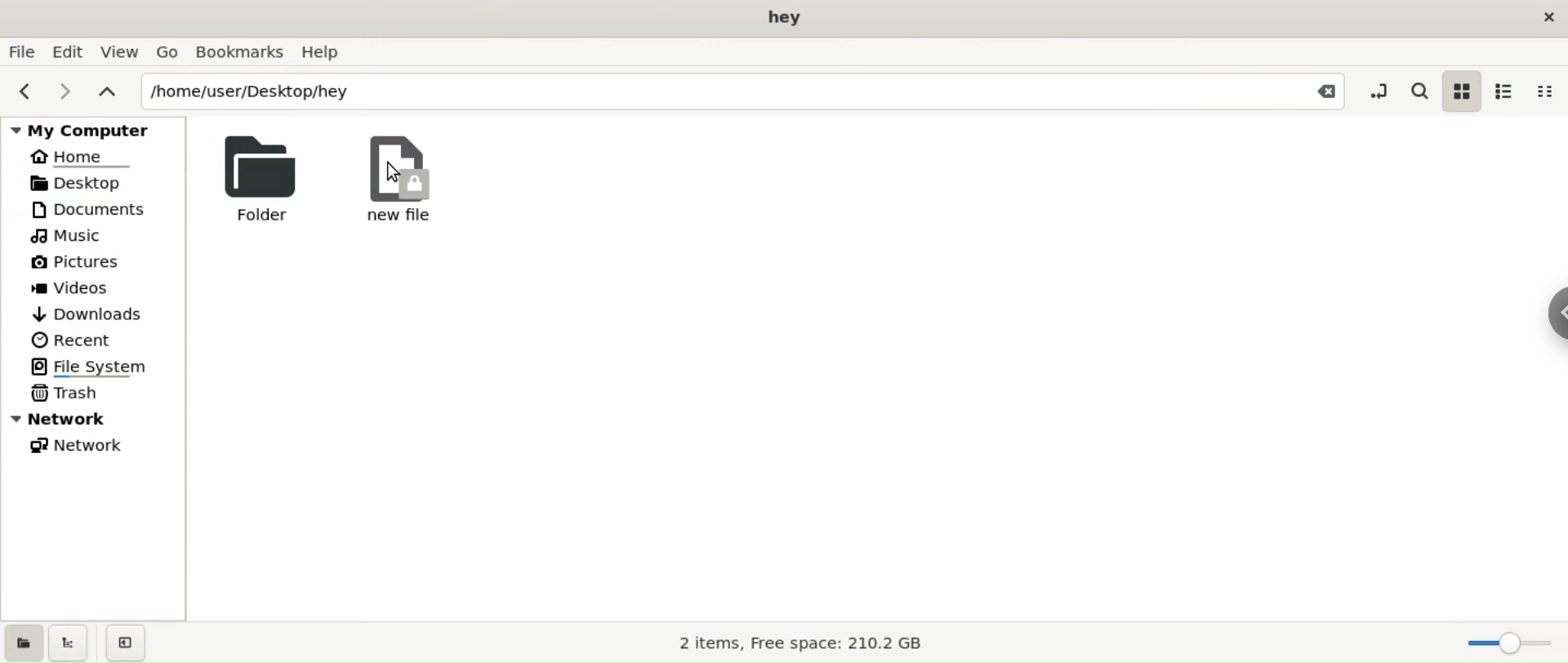  I want to click on /home/user/Desktop/hey, so click(702, 93).